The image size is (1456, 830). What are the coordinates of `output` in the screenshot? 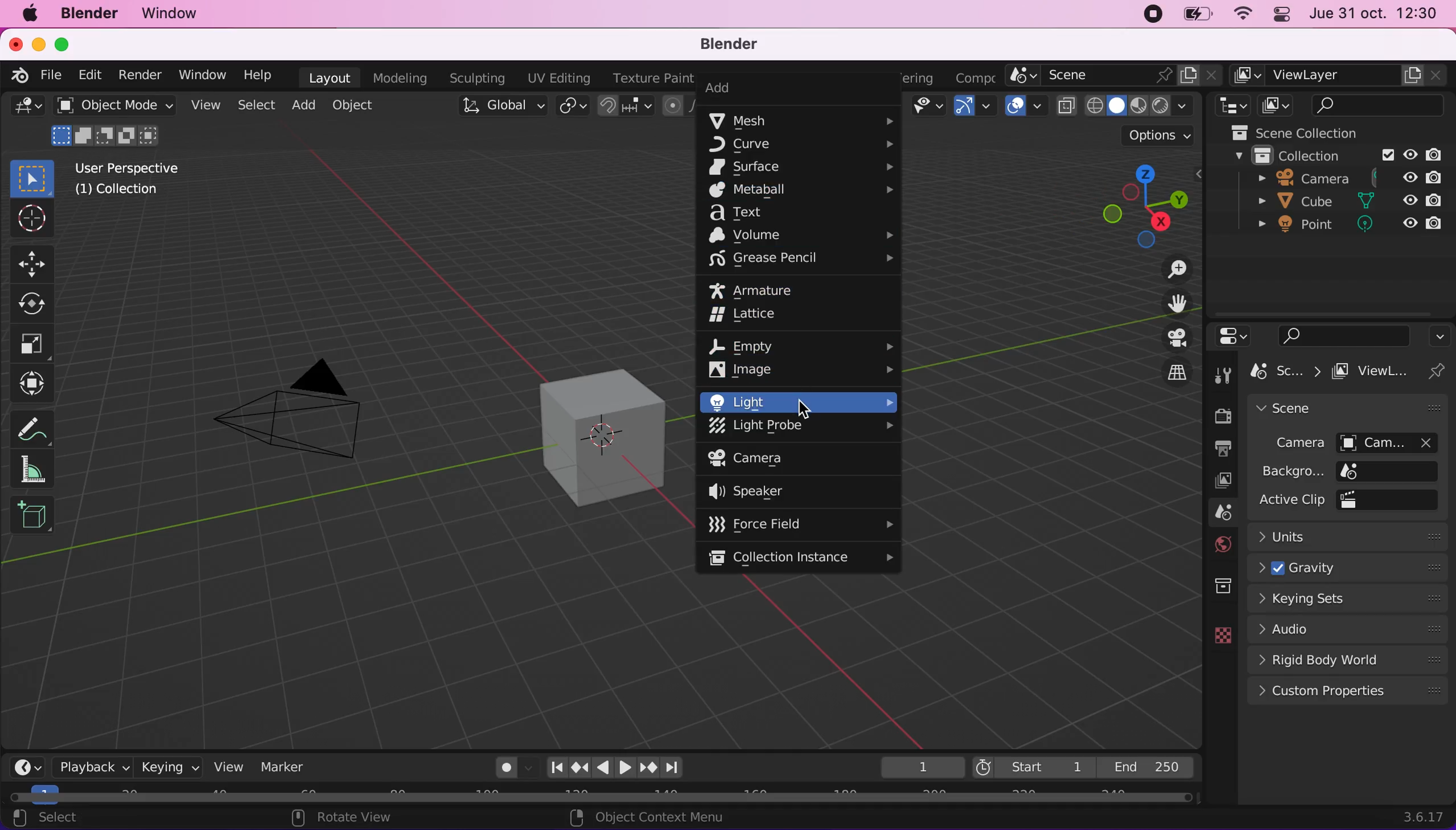 It's located at (1221, 447).